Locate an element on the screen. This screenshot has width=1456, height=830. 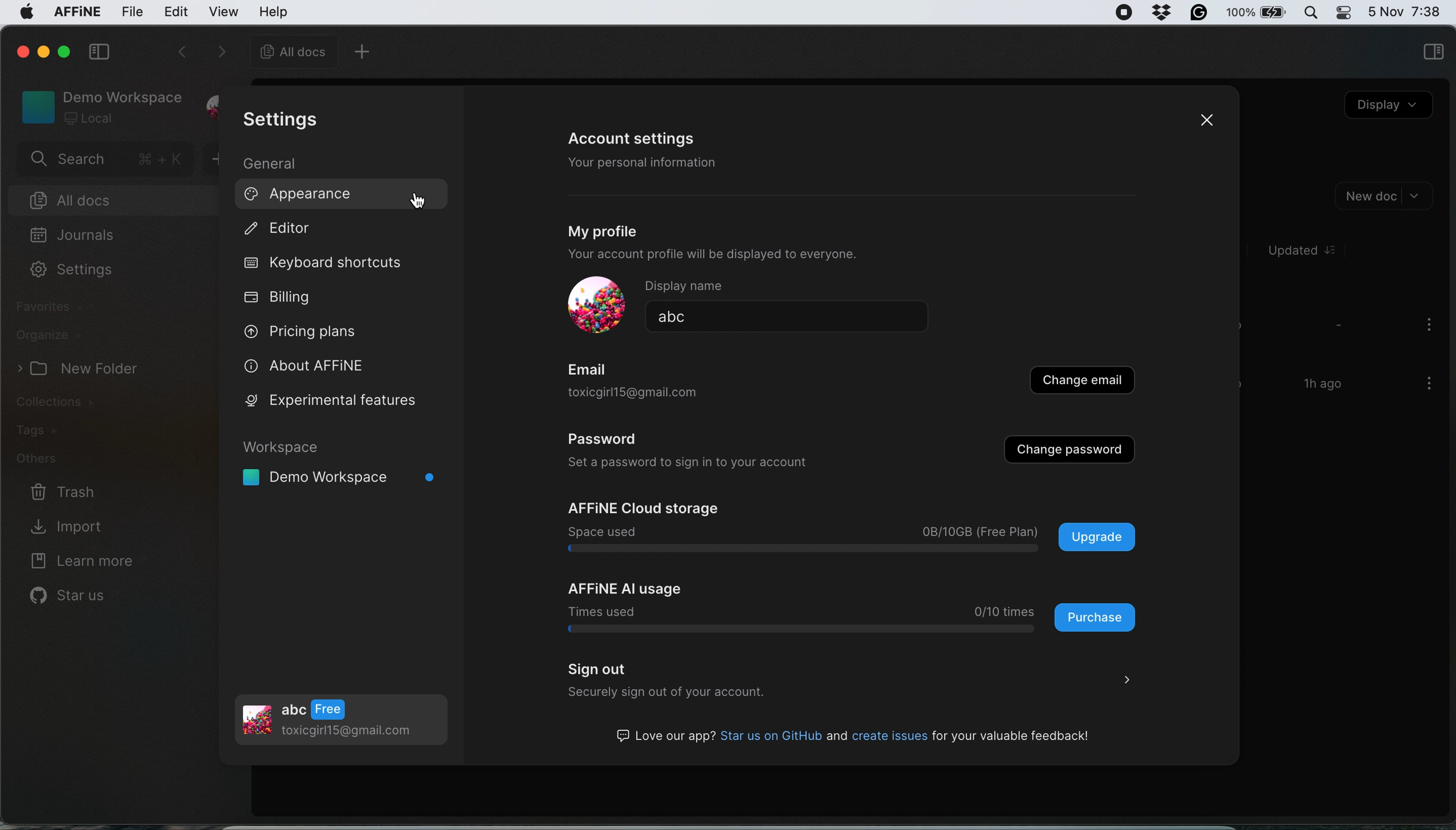
search is located at coordinates (104, 161).